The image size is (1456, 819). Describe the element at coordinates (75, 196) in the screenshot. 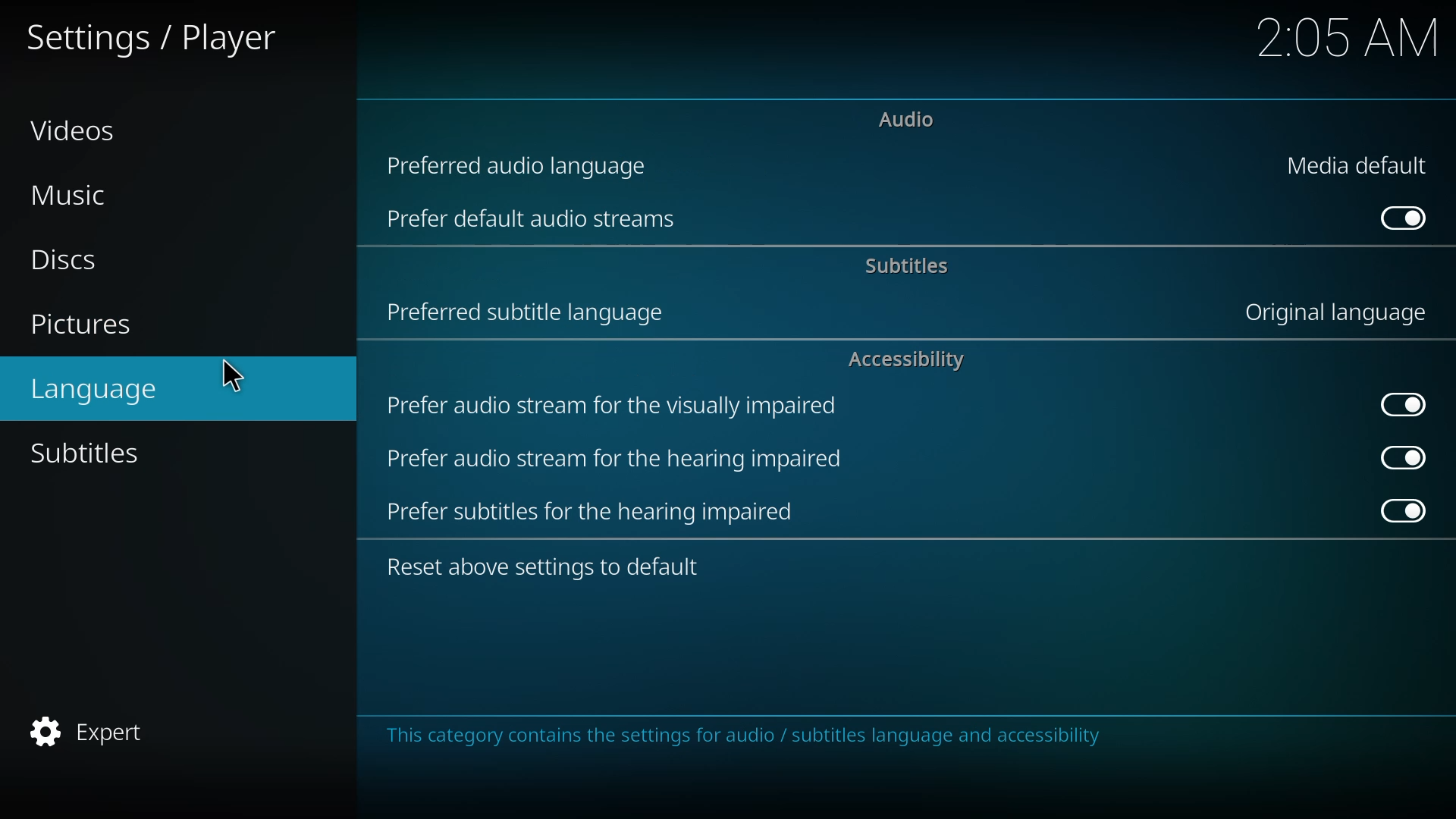

I see `music` at that location.